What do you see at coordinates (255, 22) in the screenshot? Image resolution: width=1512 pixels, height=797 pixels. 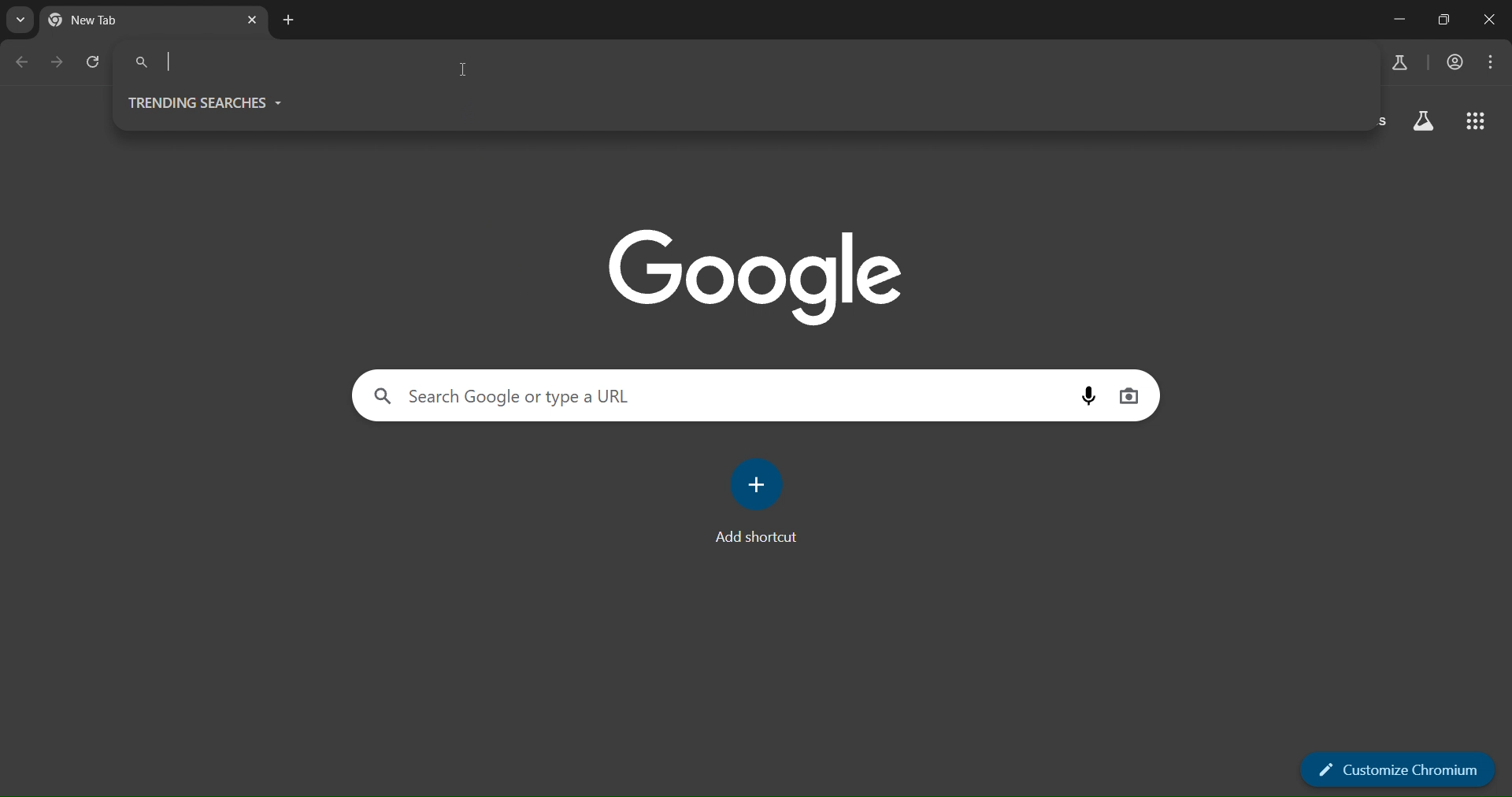 I see `close tab` at bounding box center [255, 22].